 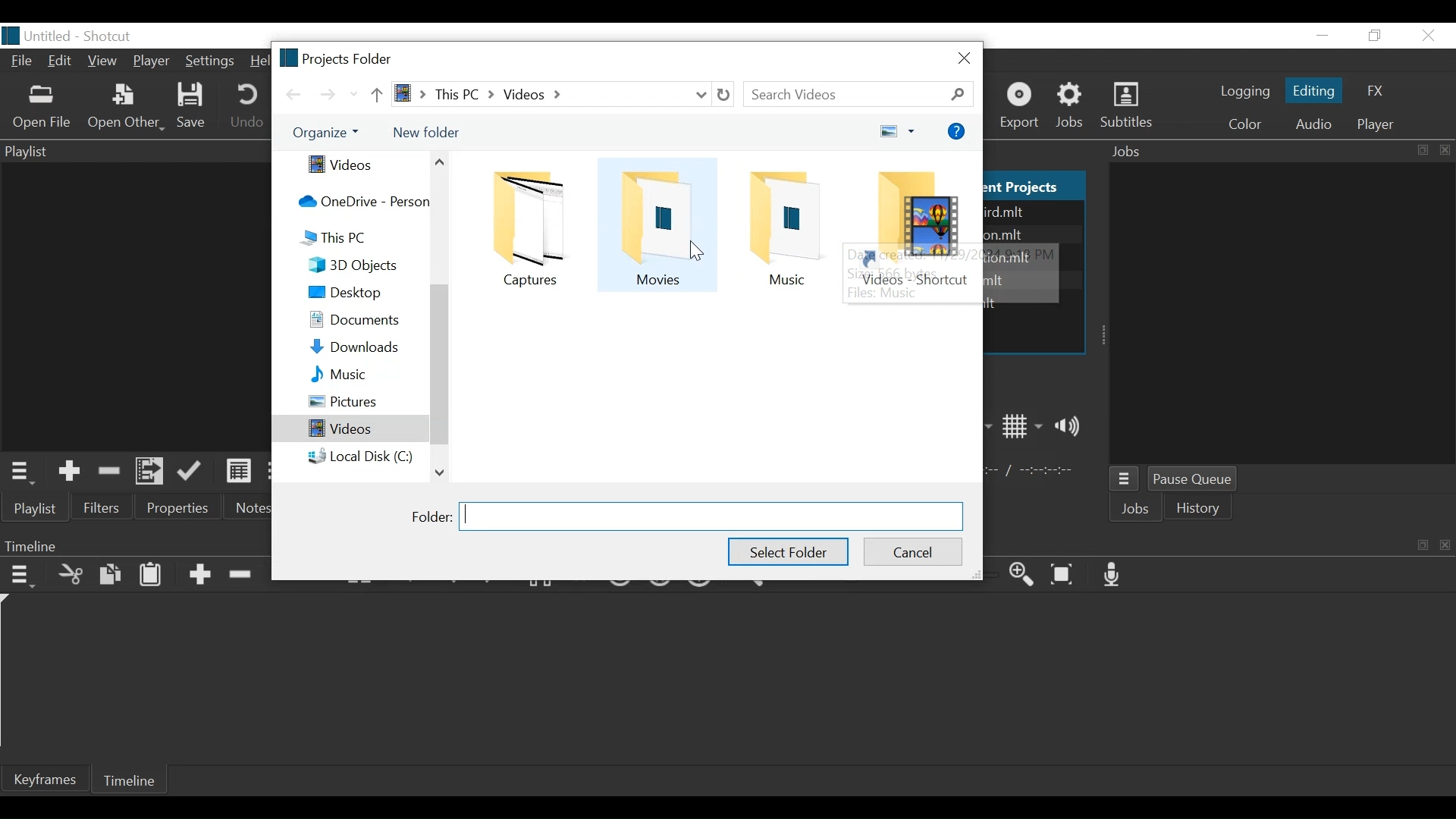 I want to click on Save, so click(x=193, y=107).